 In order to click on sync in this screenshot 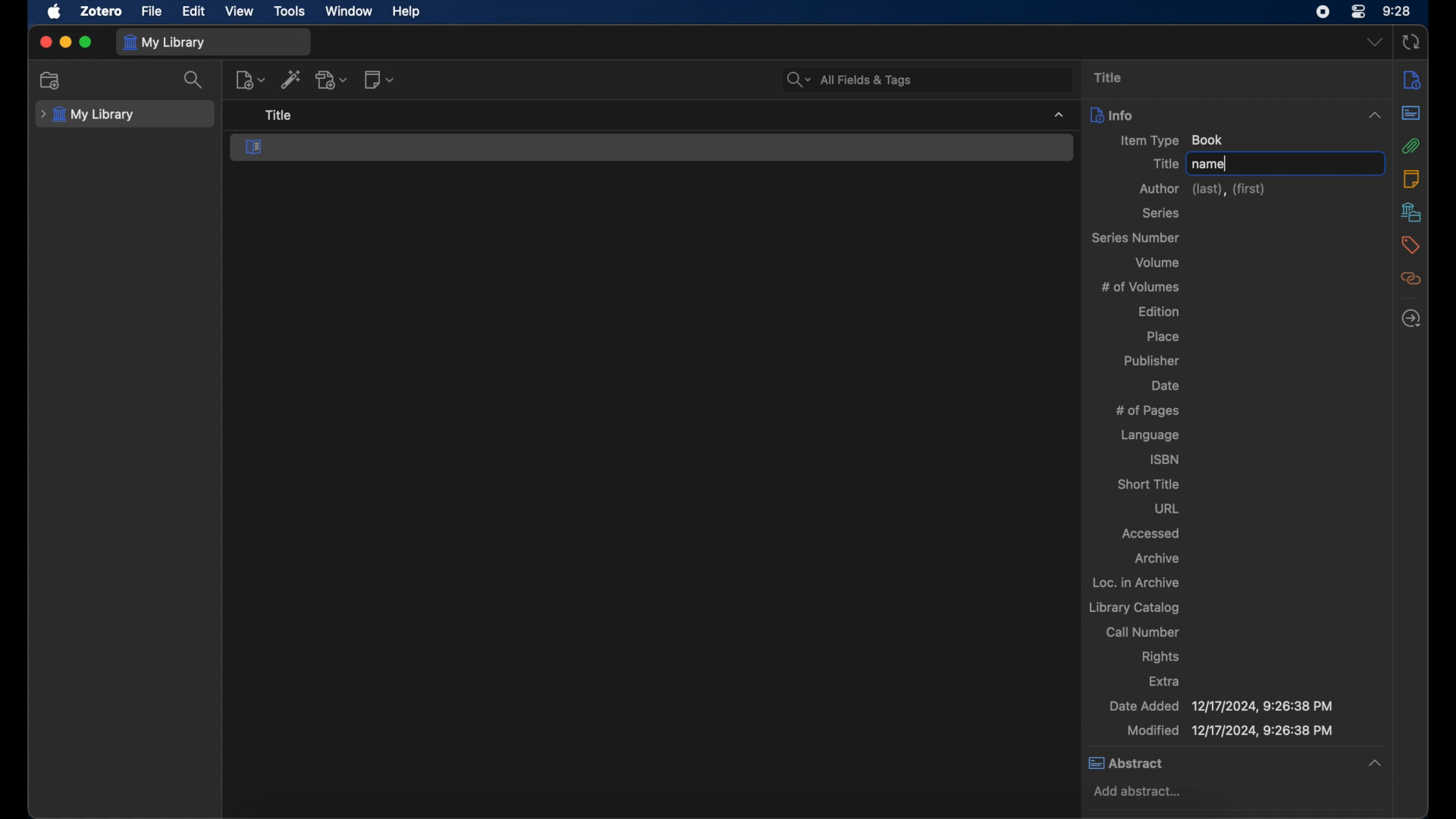, I will do `click(1411, 43)`.